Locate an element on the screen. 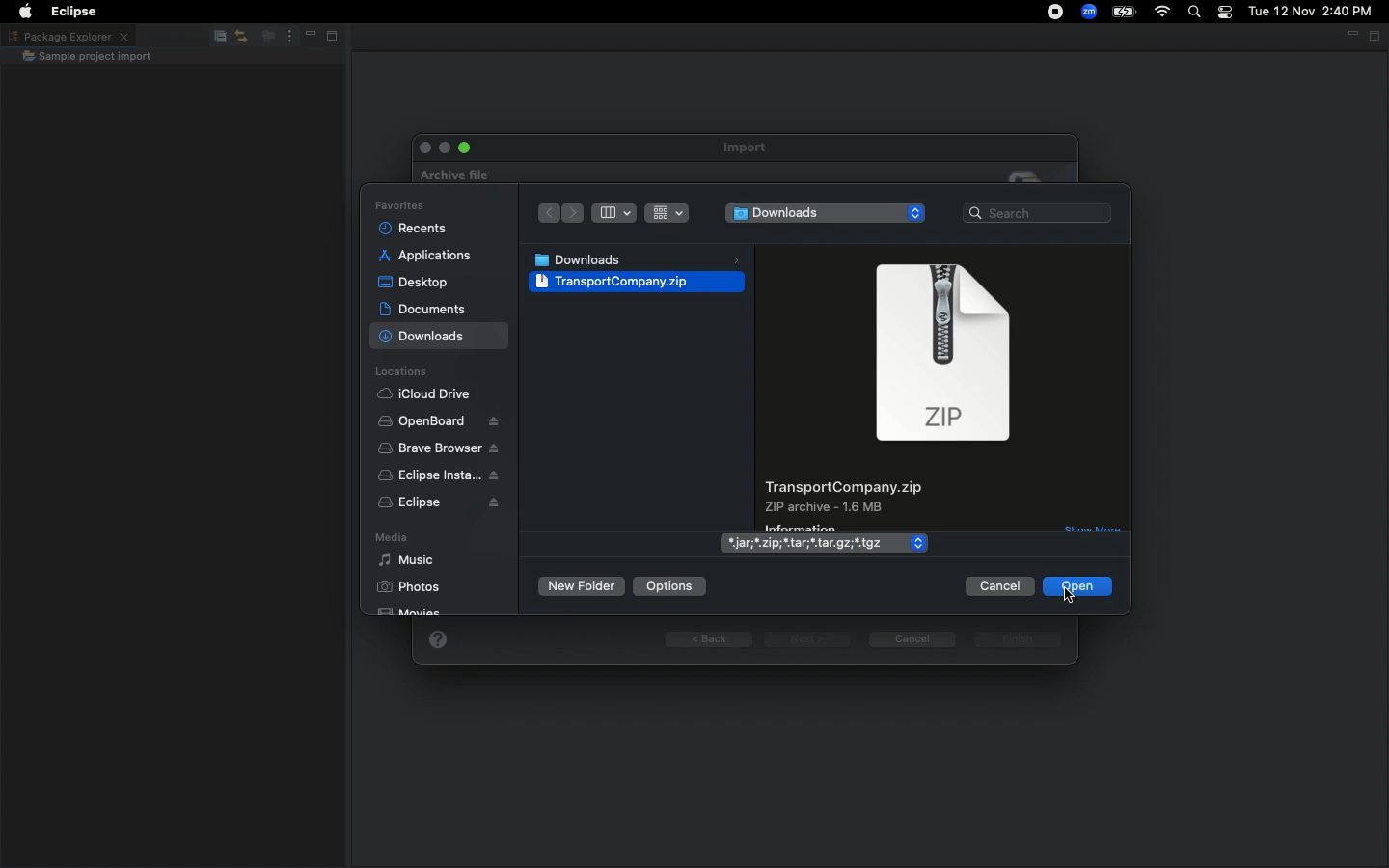 Image resolution: width=1389 pixels, height=868 pixels. TransportCompany.zip
ZIP archive - 1.6 MB. is located at coordinates (844, 493).